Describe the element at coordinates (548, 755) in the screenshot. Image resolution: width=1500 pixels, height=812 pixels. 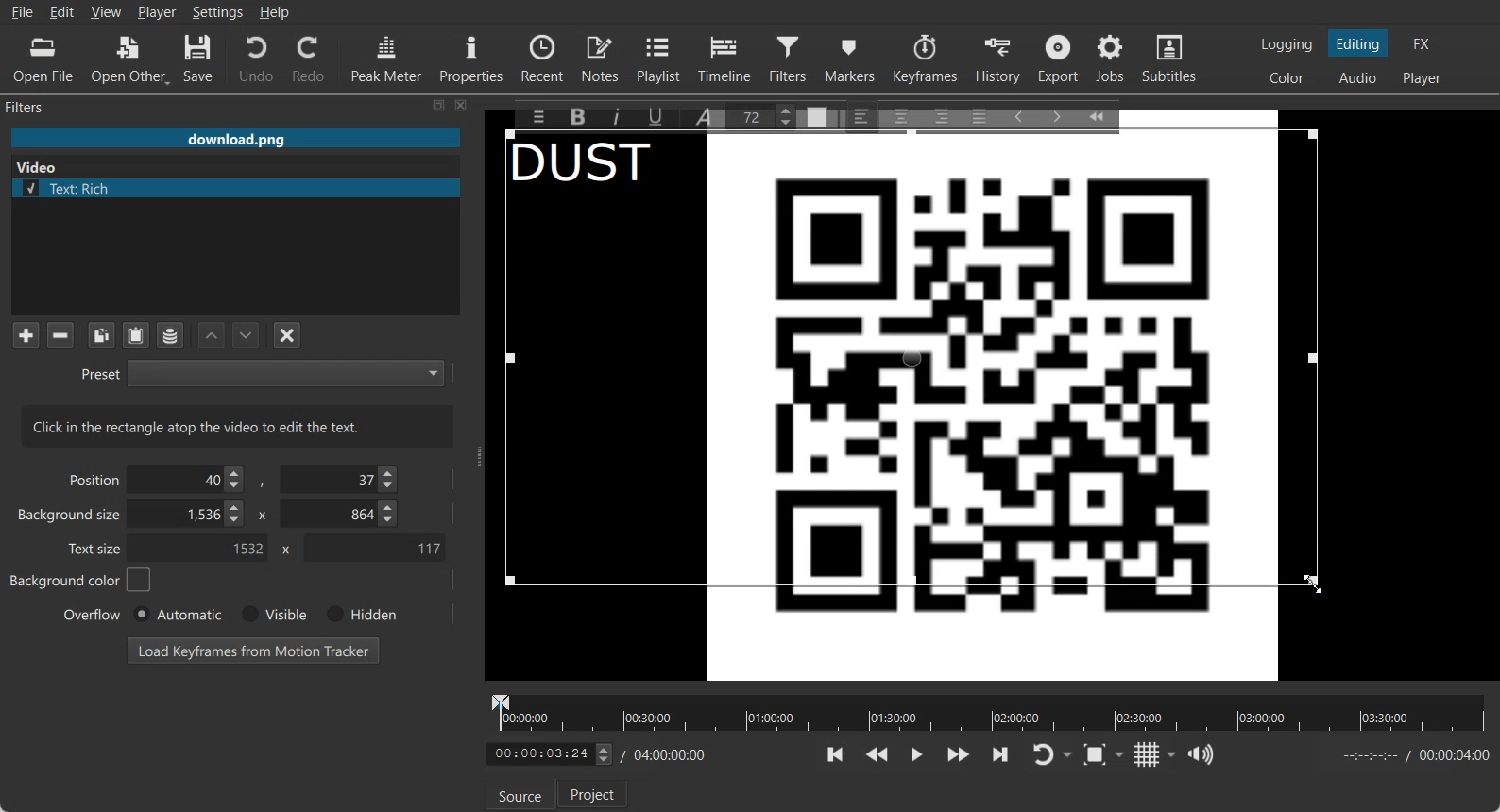
I see `adjust Time ` at that location.